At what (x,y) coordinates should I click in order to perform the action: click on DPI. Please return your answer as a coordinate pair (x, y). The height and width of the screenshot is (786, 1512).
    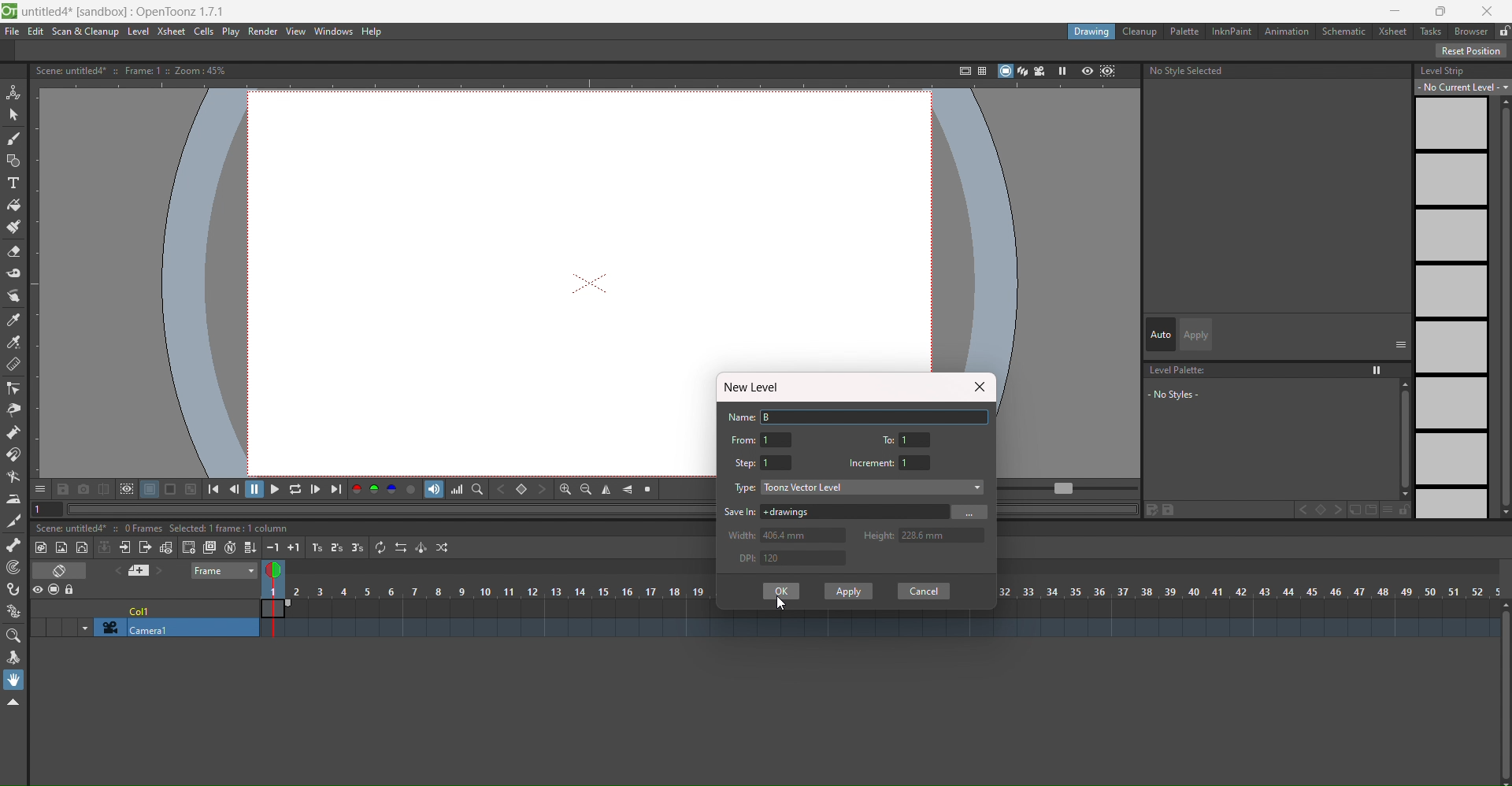
    Looking at the image, I should click on (741, 558).